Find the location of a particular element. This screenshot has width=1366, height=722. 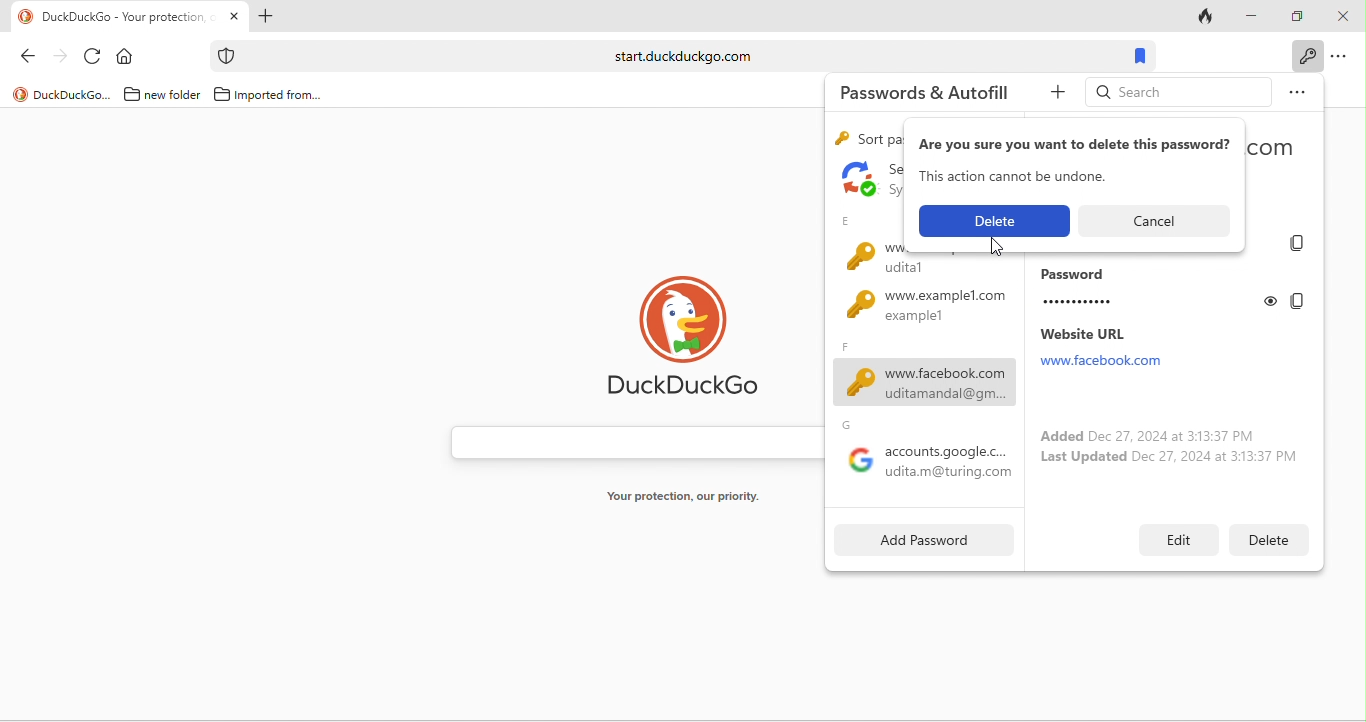

search is located at coordinates (1176, 91).